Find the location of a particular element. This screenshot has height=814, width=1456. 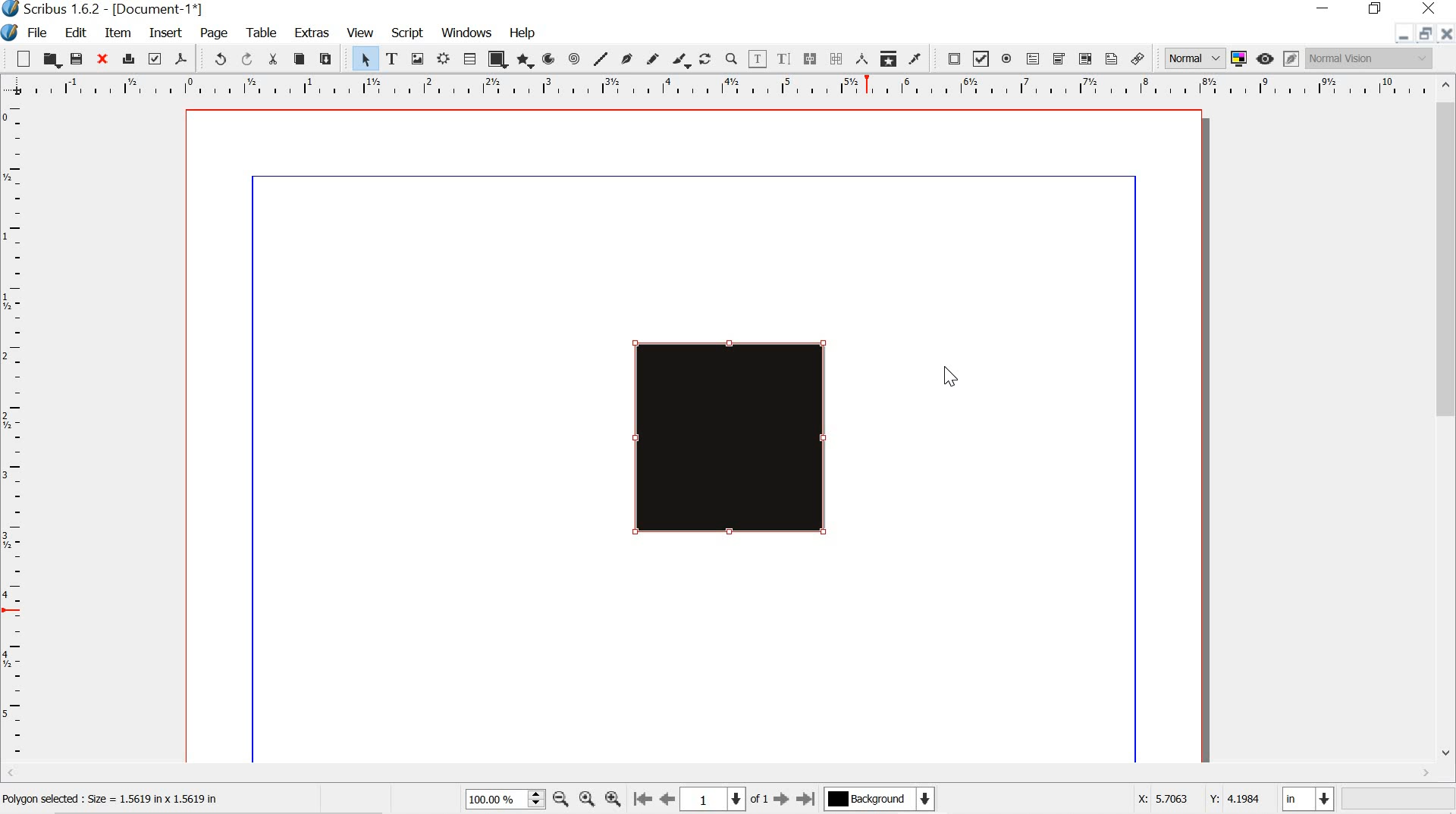

copy item properties is located at coordinates (887, 58).